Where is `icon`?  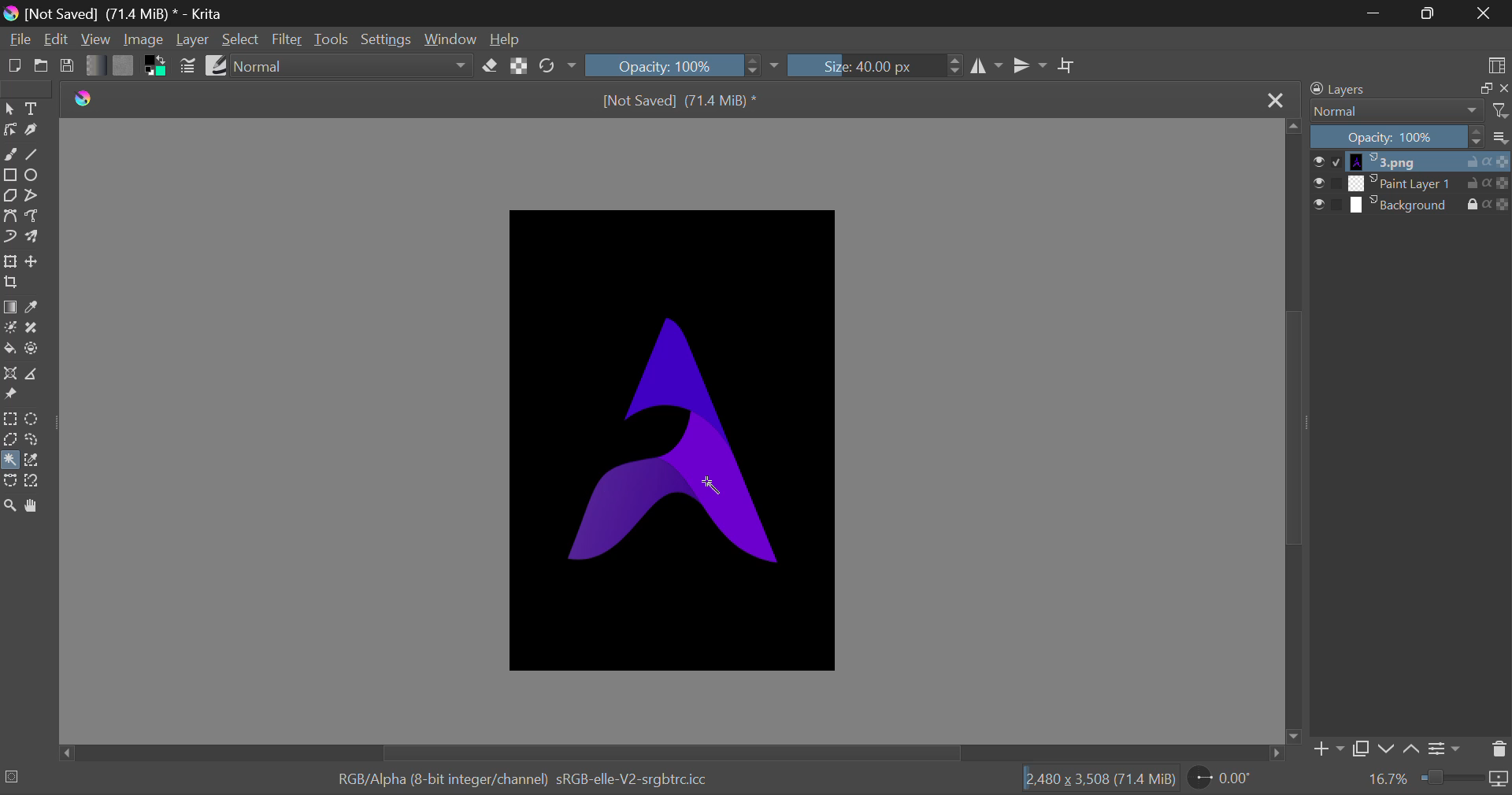
icon is located at coordinates (1499, 778).